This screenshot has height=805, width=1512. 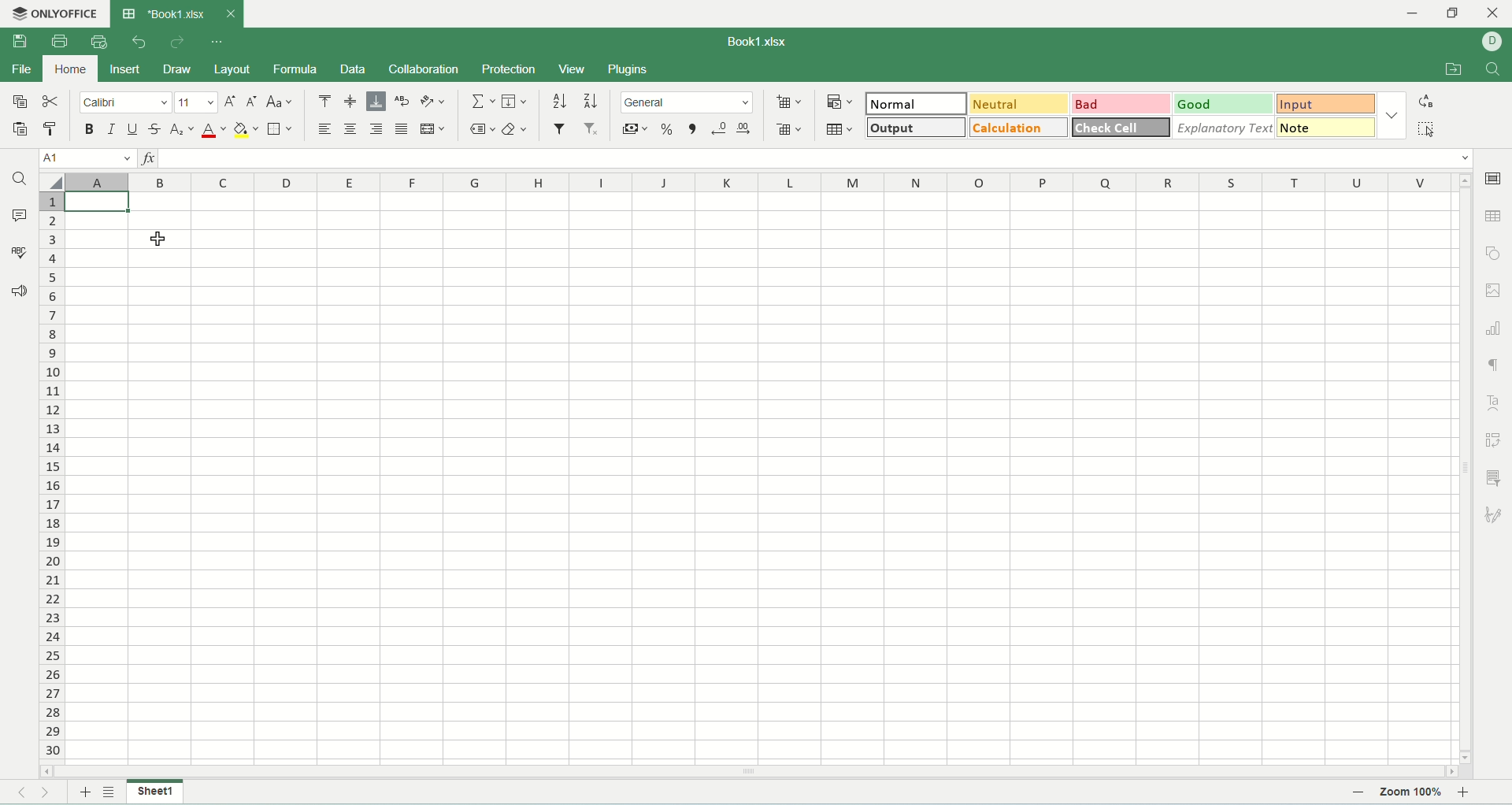 I want to click on table setting, so click(x=1495, y=215).